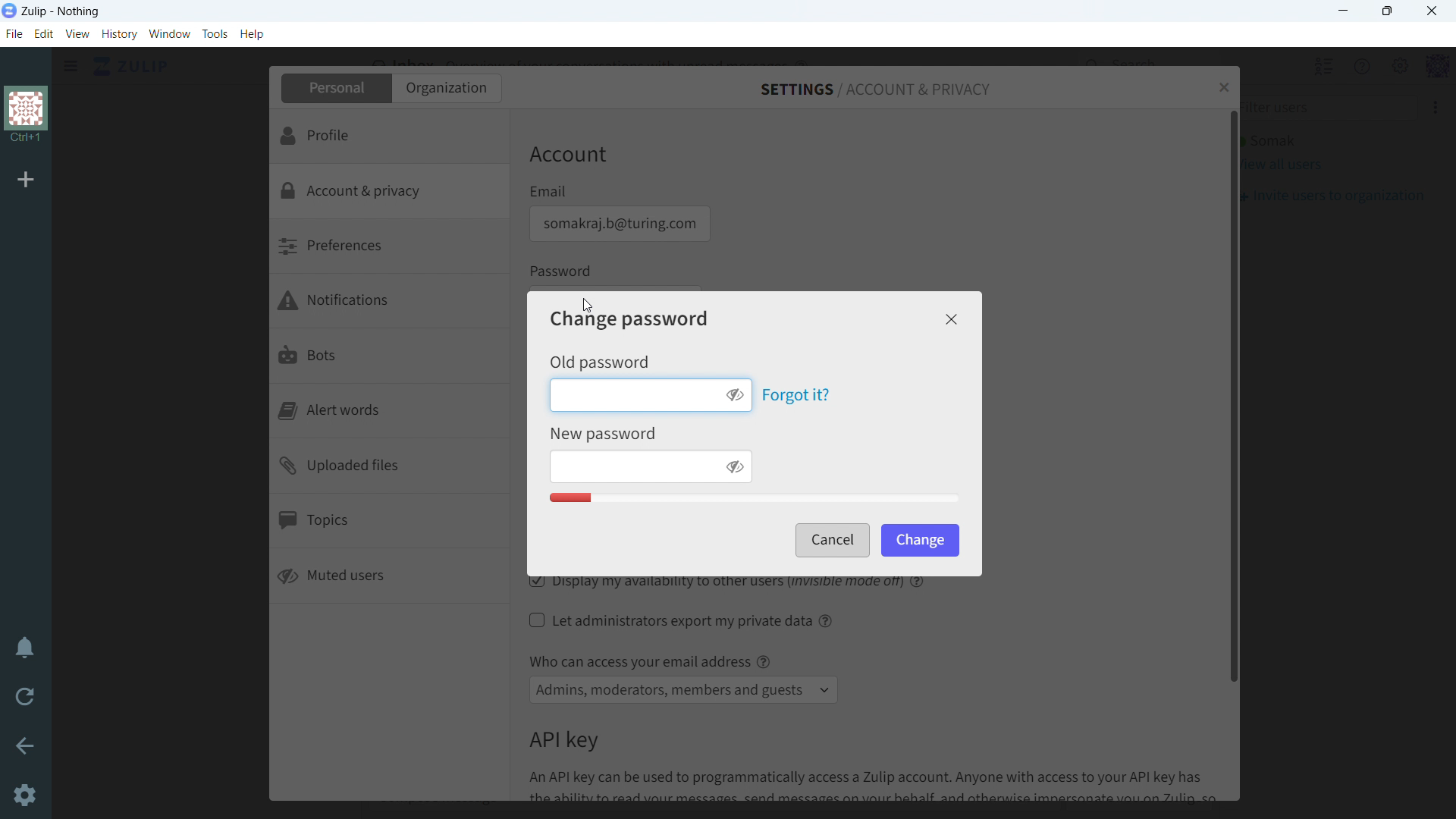 Image resolution: width=1456 pixels, height=819 pixels. I want to click on file, so click(14, 33).